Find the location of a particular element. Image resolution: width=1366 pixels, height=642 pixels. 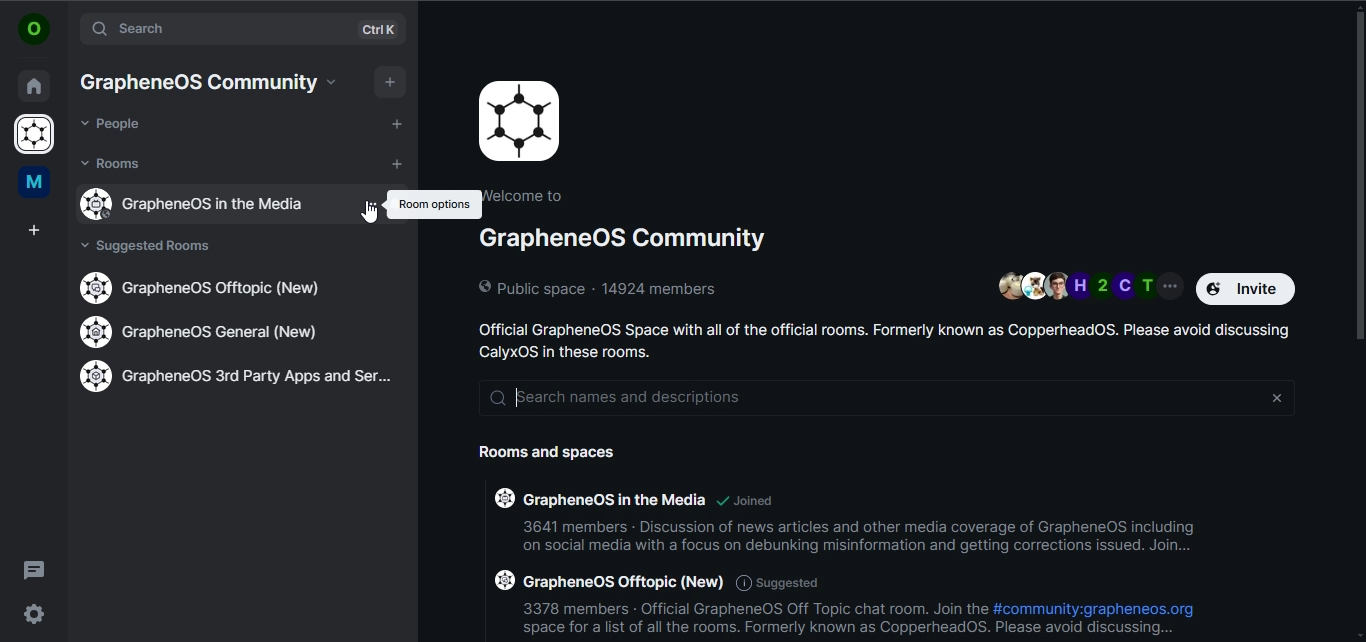

GrapheneOS General is located at coordinates (206, 334).